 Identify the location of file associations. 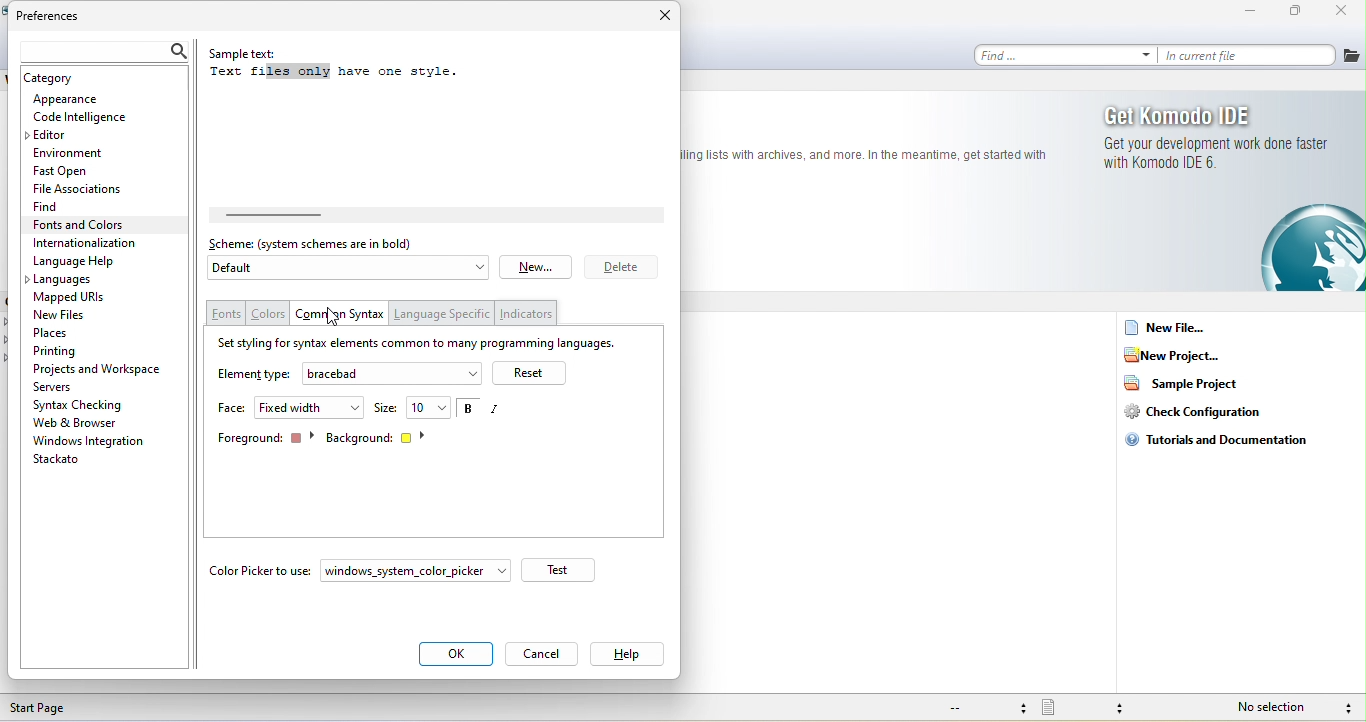
(80, 190).